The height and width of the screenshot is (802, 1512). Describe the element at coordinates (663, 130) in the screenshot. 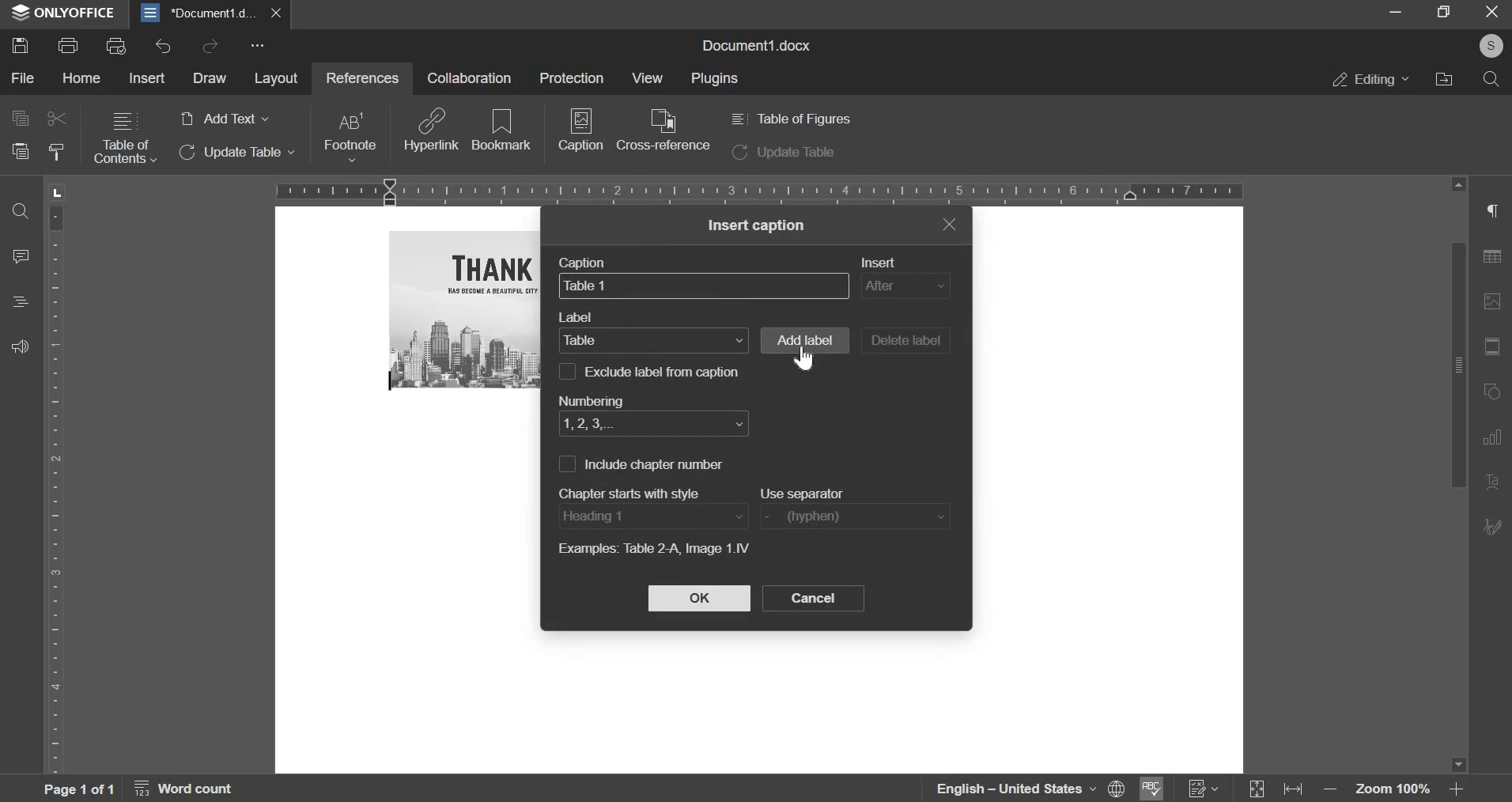

I see `cross reference` at that location.